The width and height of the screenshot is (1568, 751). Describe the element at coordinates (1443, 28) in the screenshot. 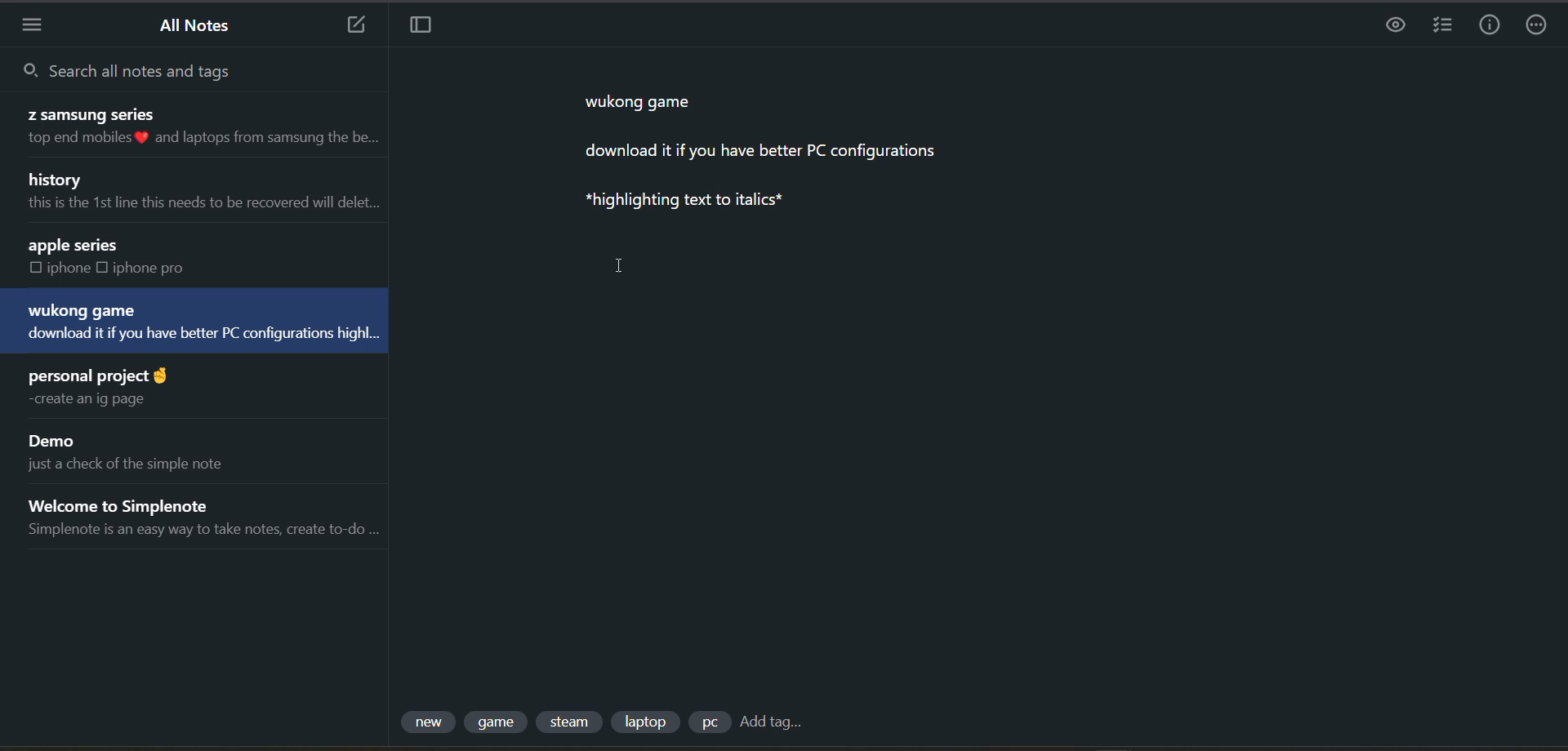

I see `insert checklist` at that location.